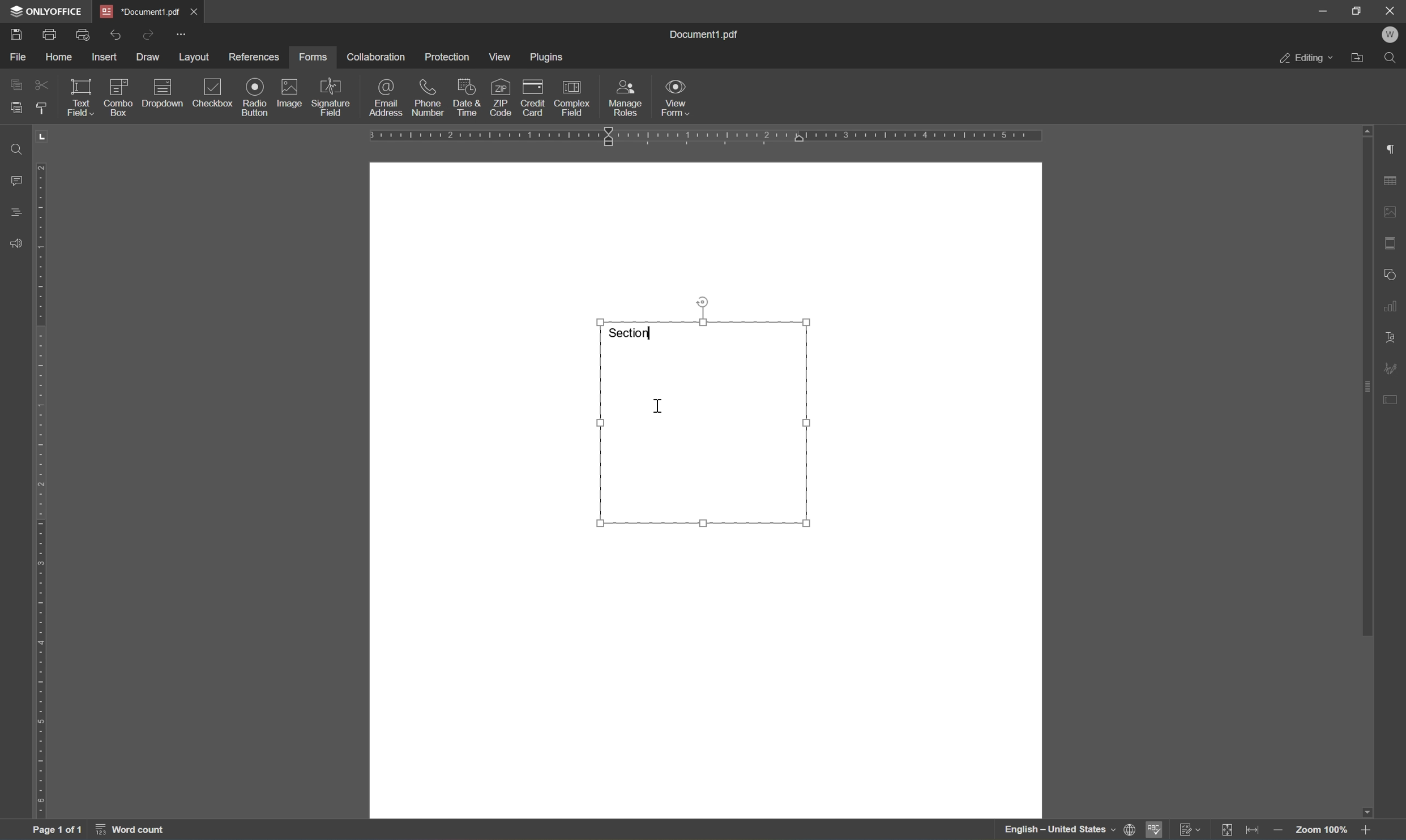  What do you see at coordinates (256, 97) in the screenshot?
I see `radio button` at bounding box center [256, 97].